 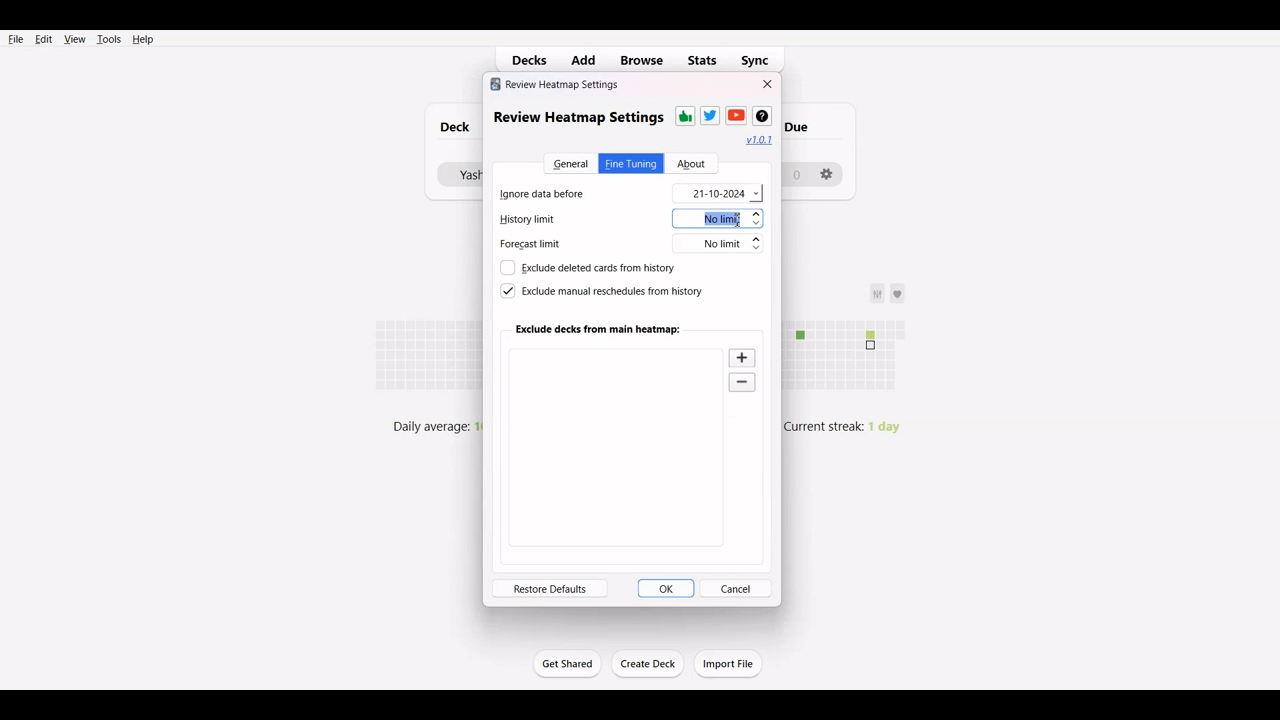 What do you see at coordinates (577, 117) in the screenshot?
I see `review heatmap settings` at bounding box center [577, 117].